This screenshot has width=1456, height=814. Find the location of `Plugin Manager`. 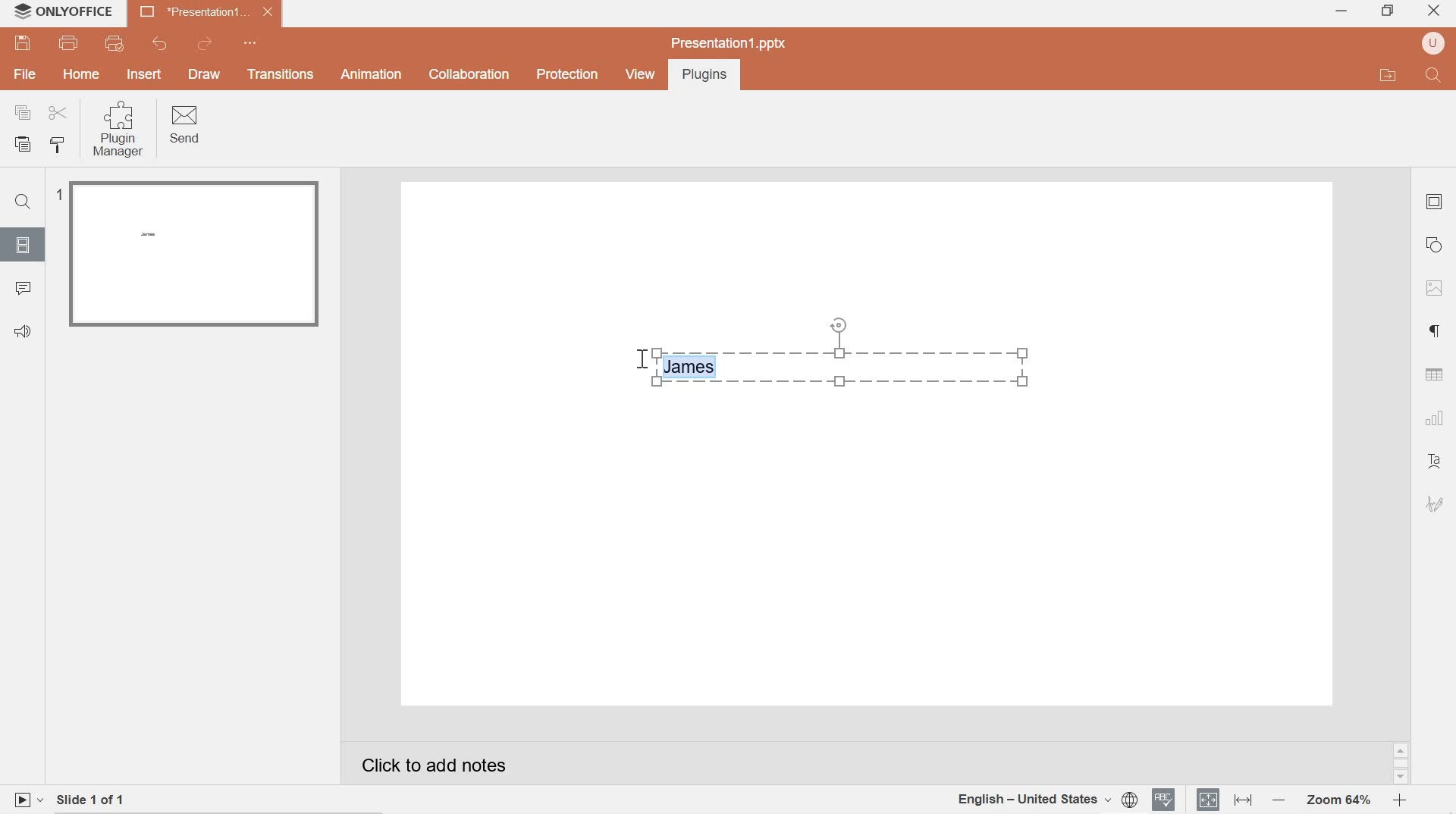

Plugin Manager is located at coordinates (121, 130).